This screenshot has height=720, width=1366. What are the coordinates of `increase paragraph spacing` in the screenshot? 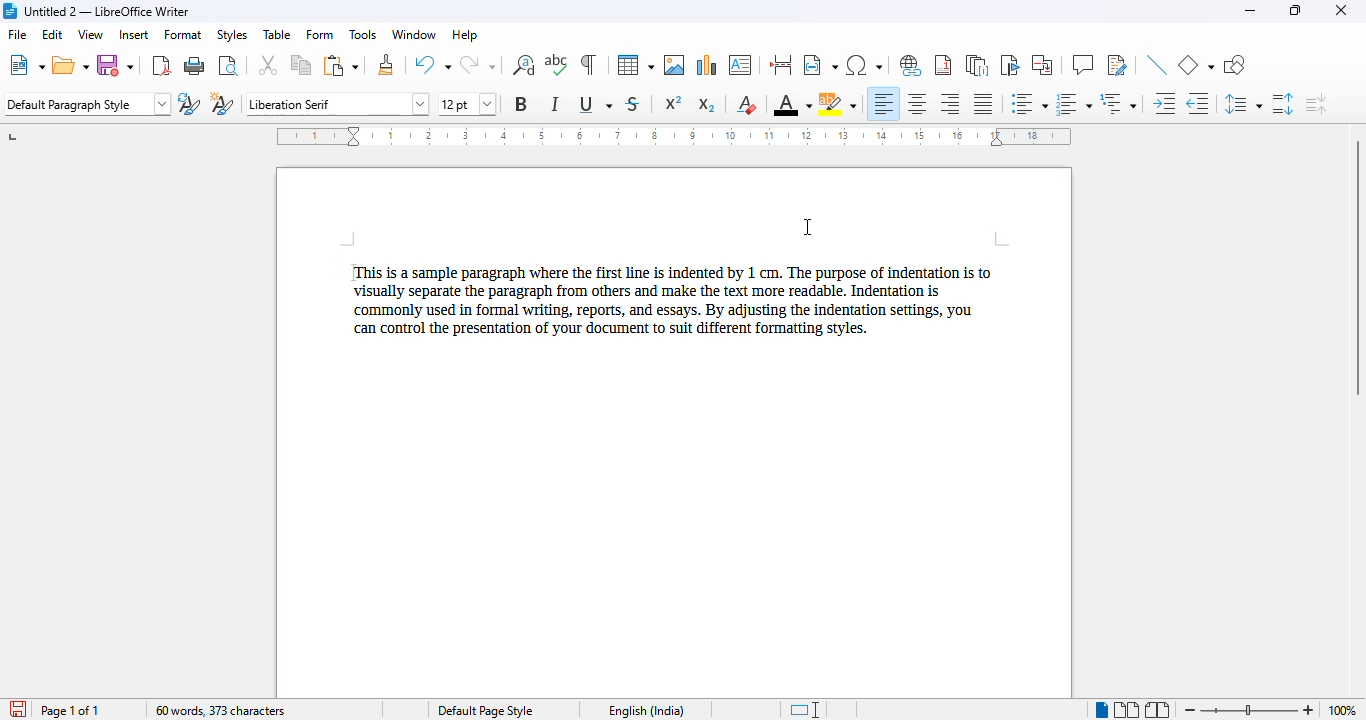 It's located at (1283, 104).